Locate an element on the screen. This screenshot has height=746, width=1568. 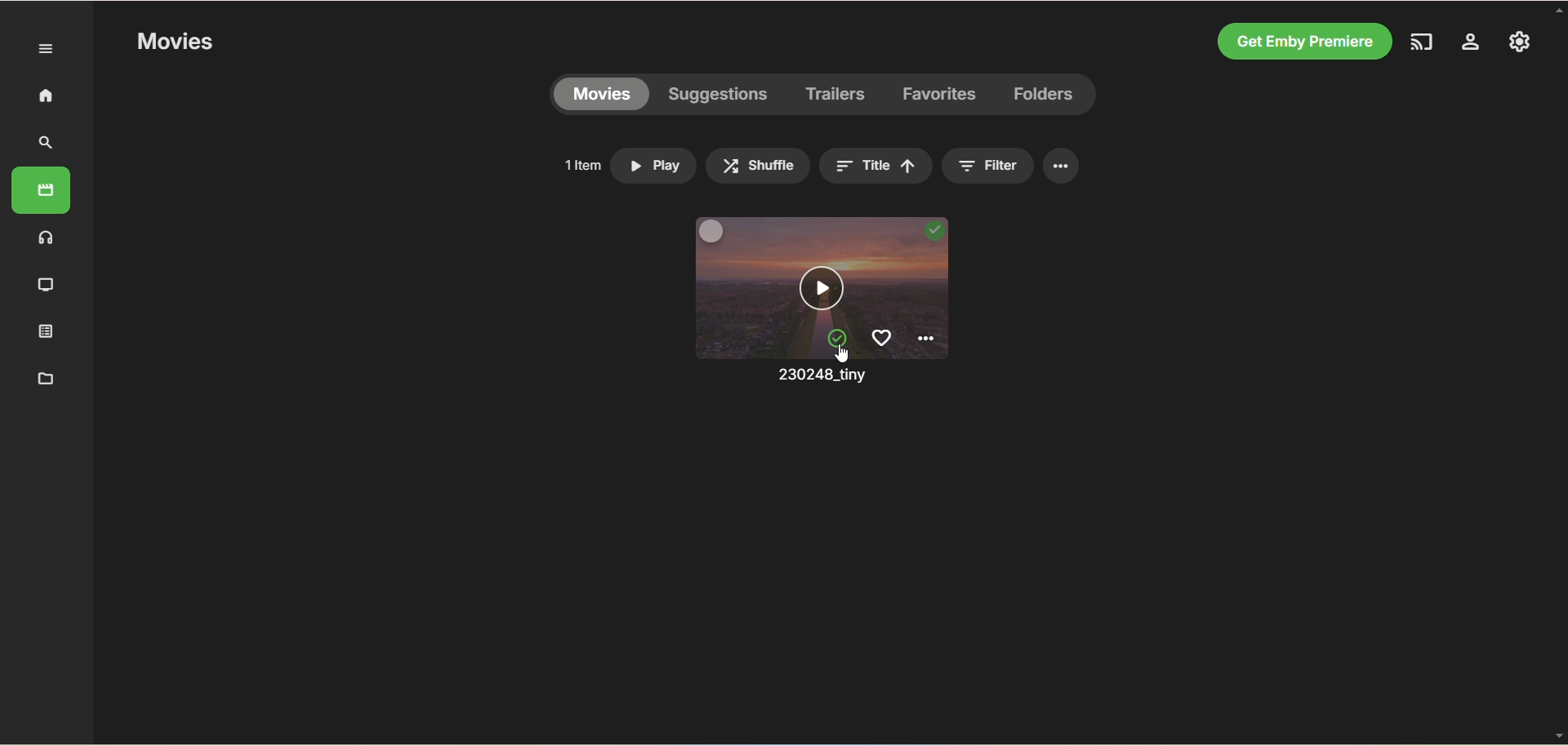
1 item is located at coordinates (579, 162).